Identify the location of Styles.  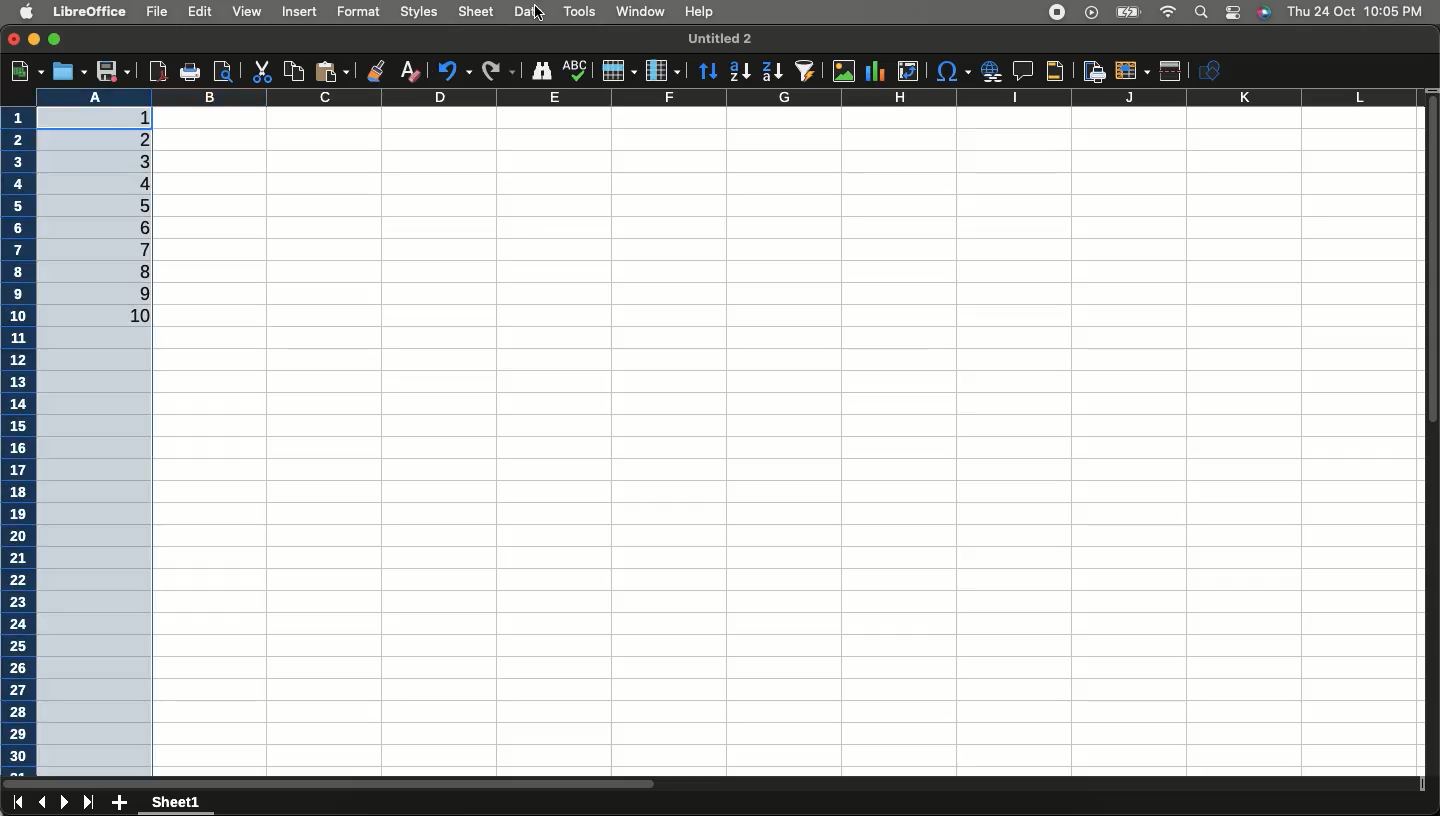
(420, 13).